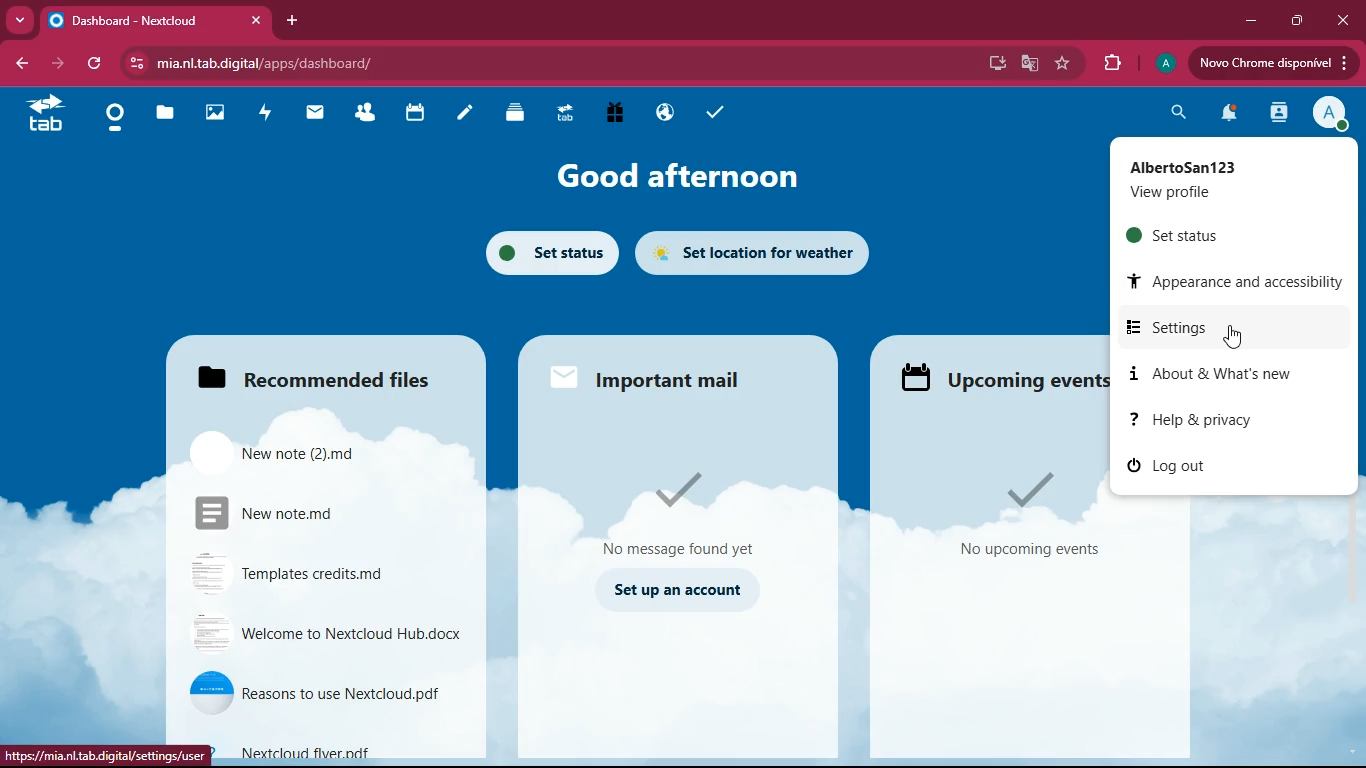 This screenshot has height=768, width=1366. What do you see at coordinates (1342, 20) in the screenshot?
I see `close` at bounding box center [1342, 20].